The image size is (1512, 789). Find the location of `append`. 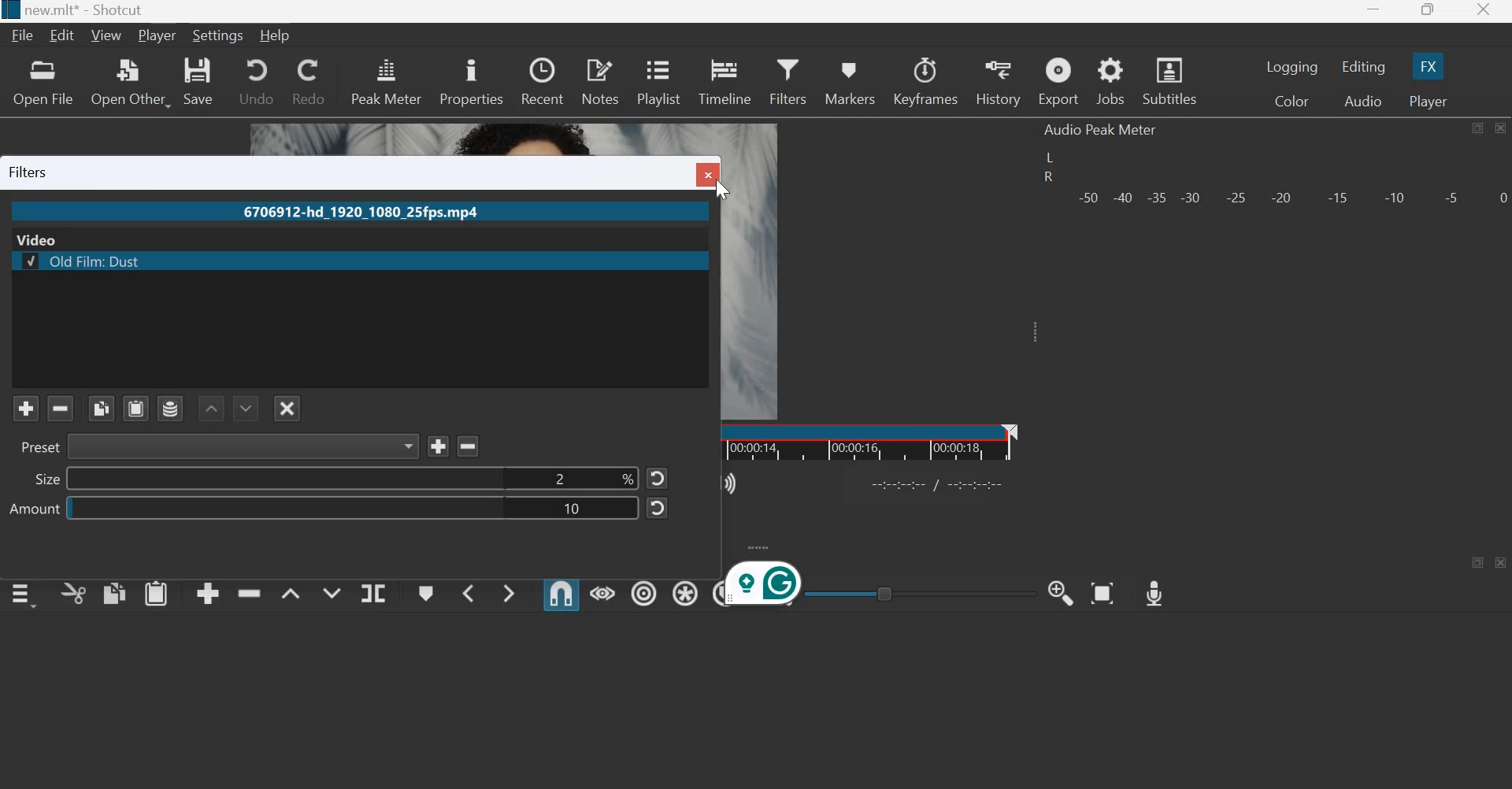

append is located at coordinates (209, 593).